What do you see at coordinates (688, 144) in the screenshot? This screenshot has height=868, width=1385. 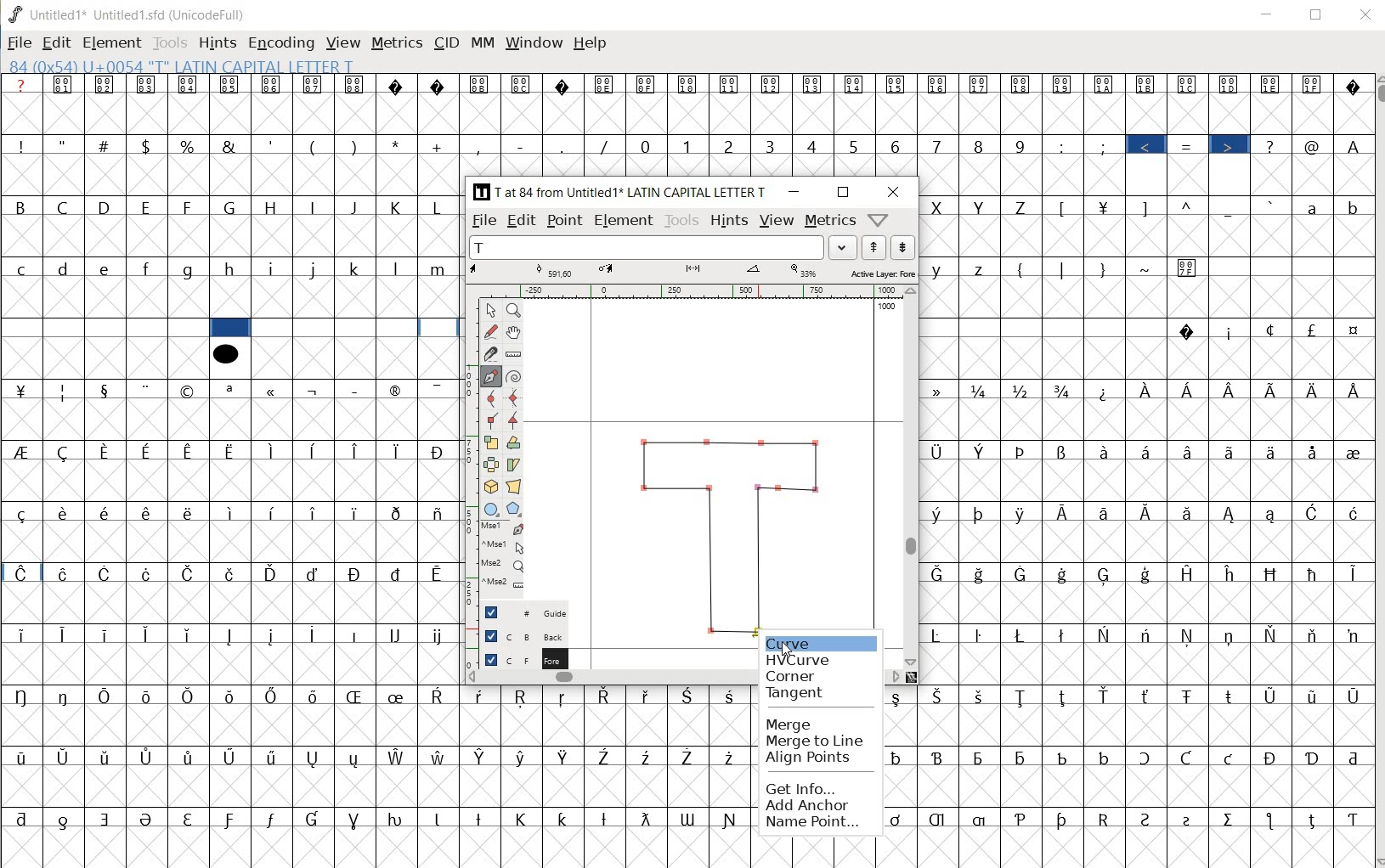 I see `1` at bounding box center [688, 144].